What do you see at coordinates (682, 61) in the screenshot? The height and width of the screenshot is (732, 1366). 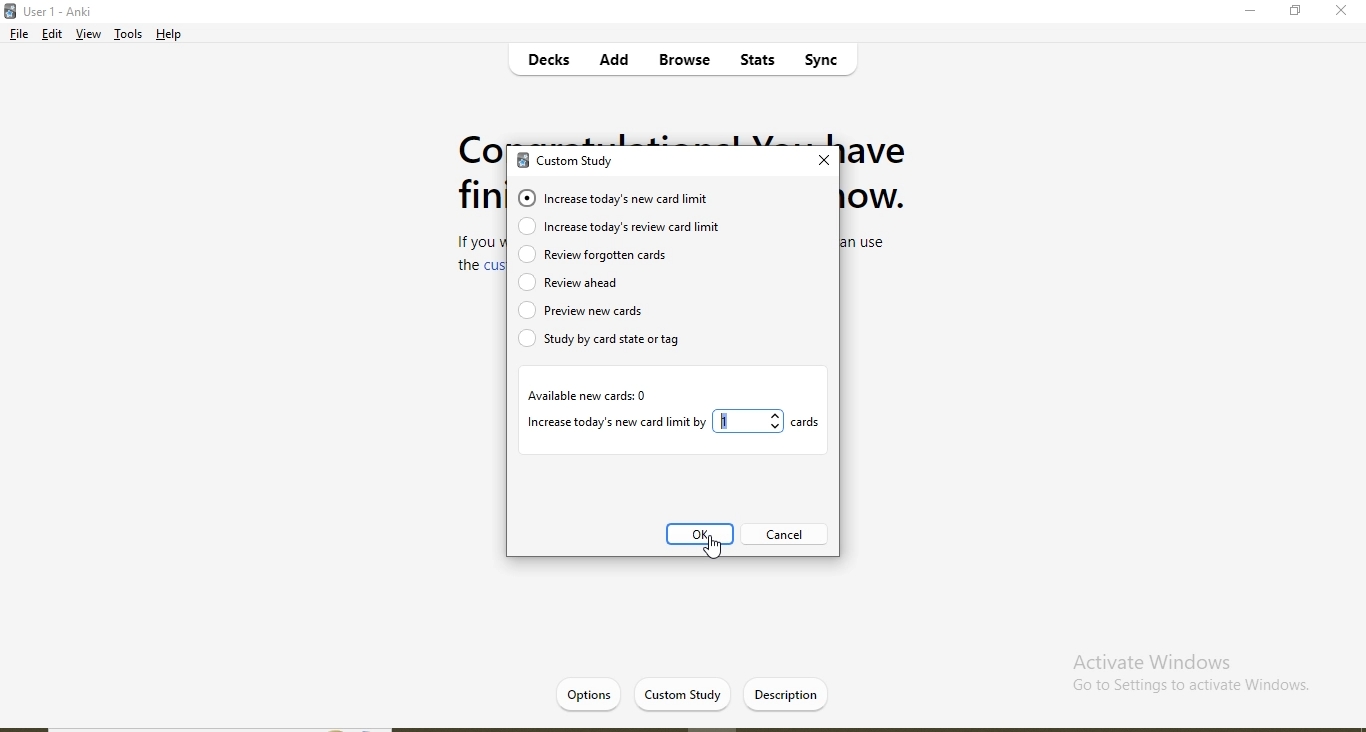 I see `browse` at bounding box center [682, 61].